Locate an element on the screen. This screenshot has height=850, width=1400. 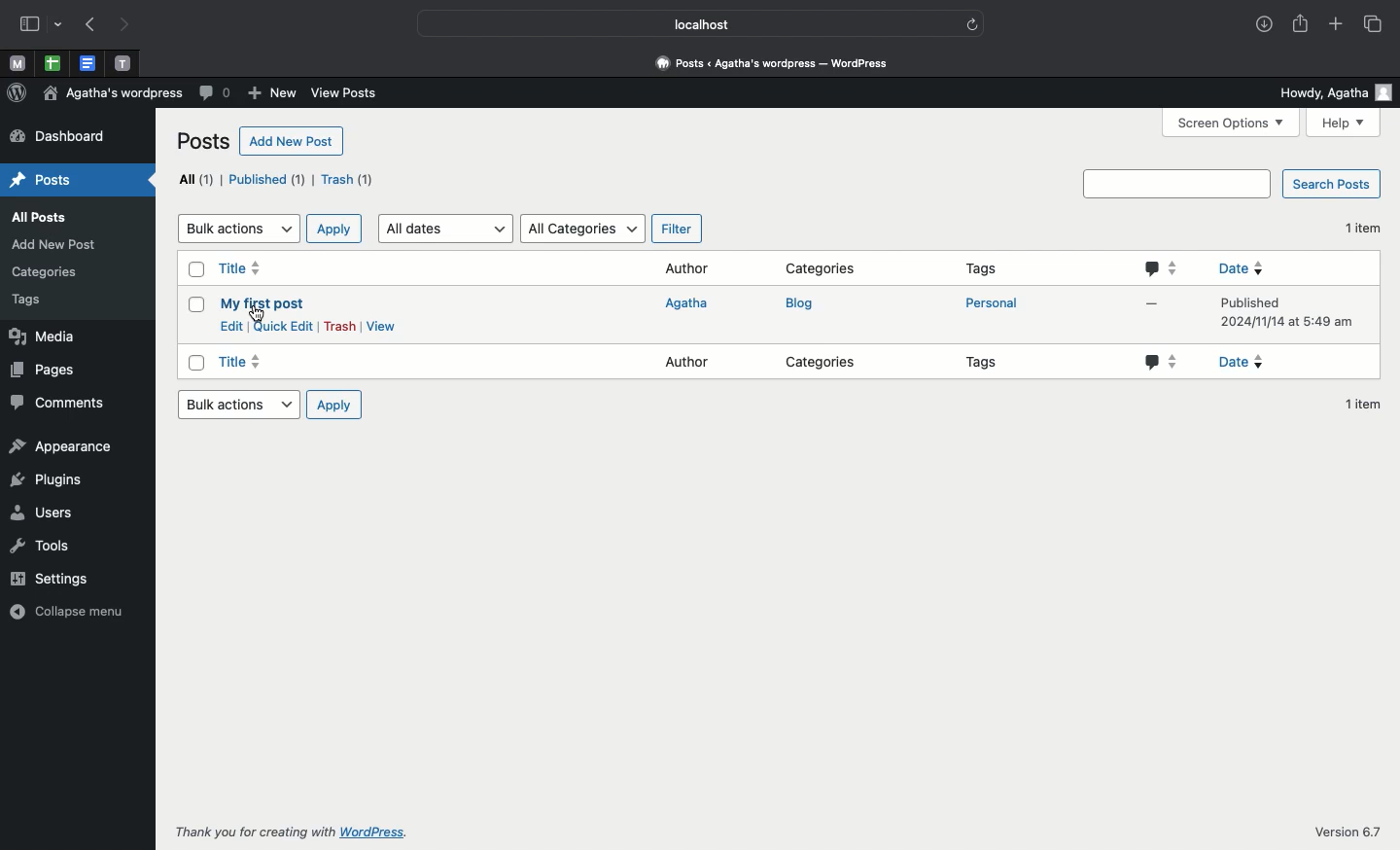
Comments is located at coordinates (61, 404).